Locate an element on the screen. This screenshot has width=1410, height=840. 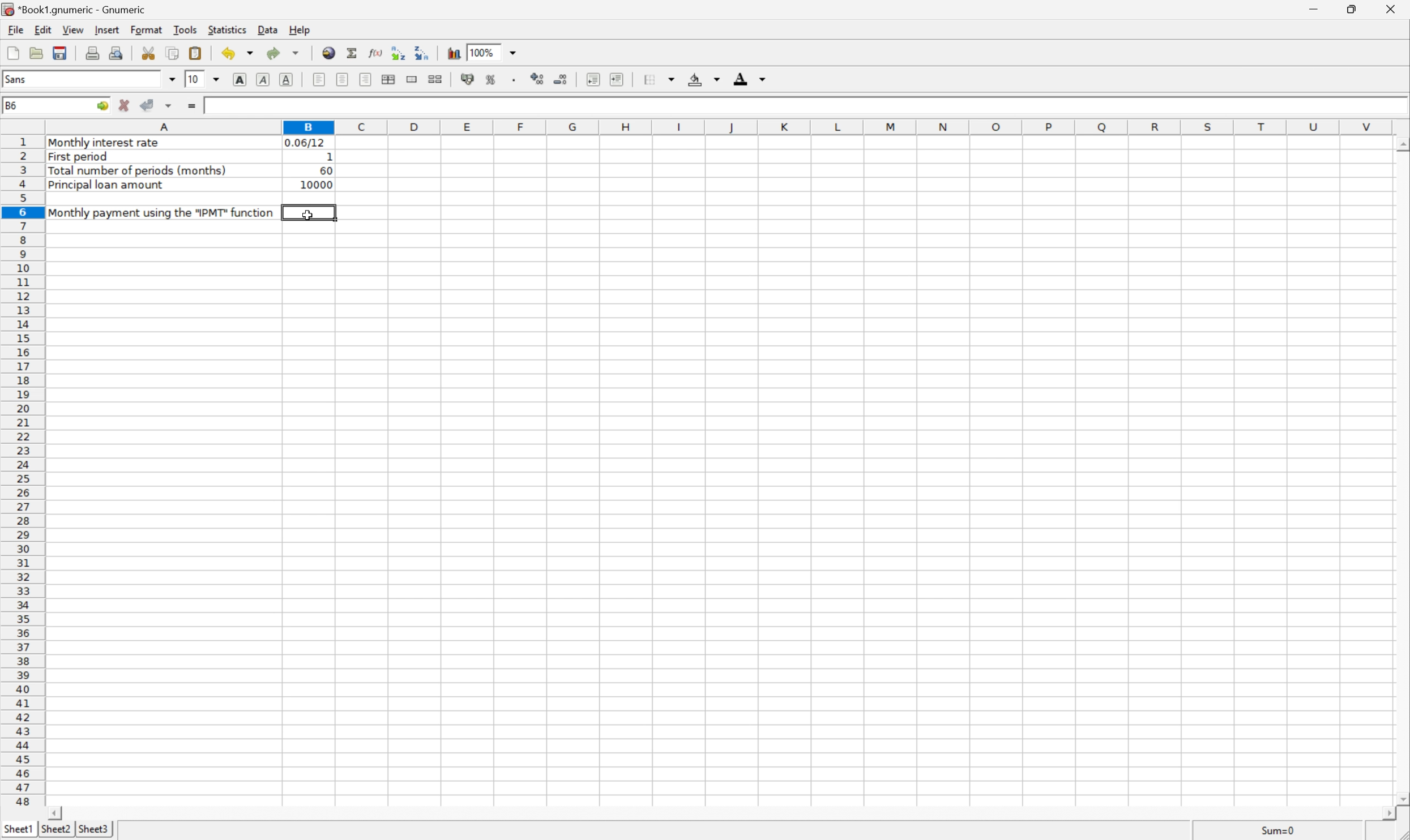
Center horizontally across selection is located at coordinates (390, 80).